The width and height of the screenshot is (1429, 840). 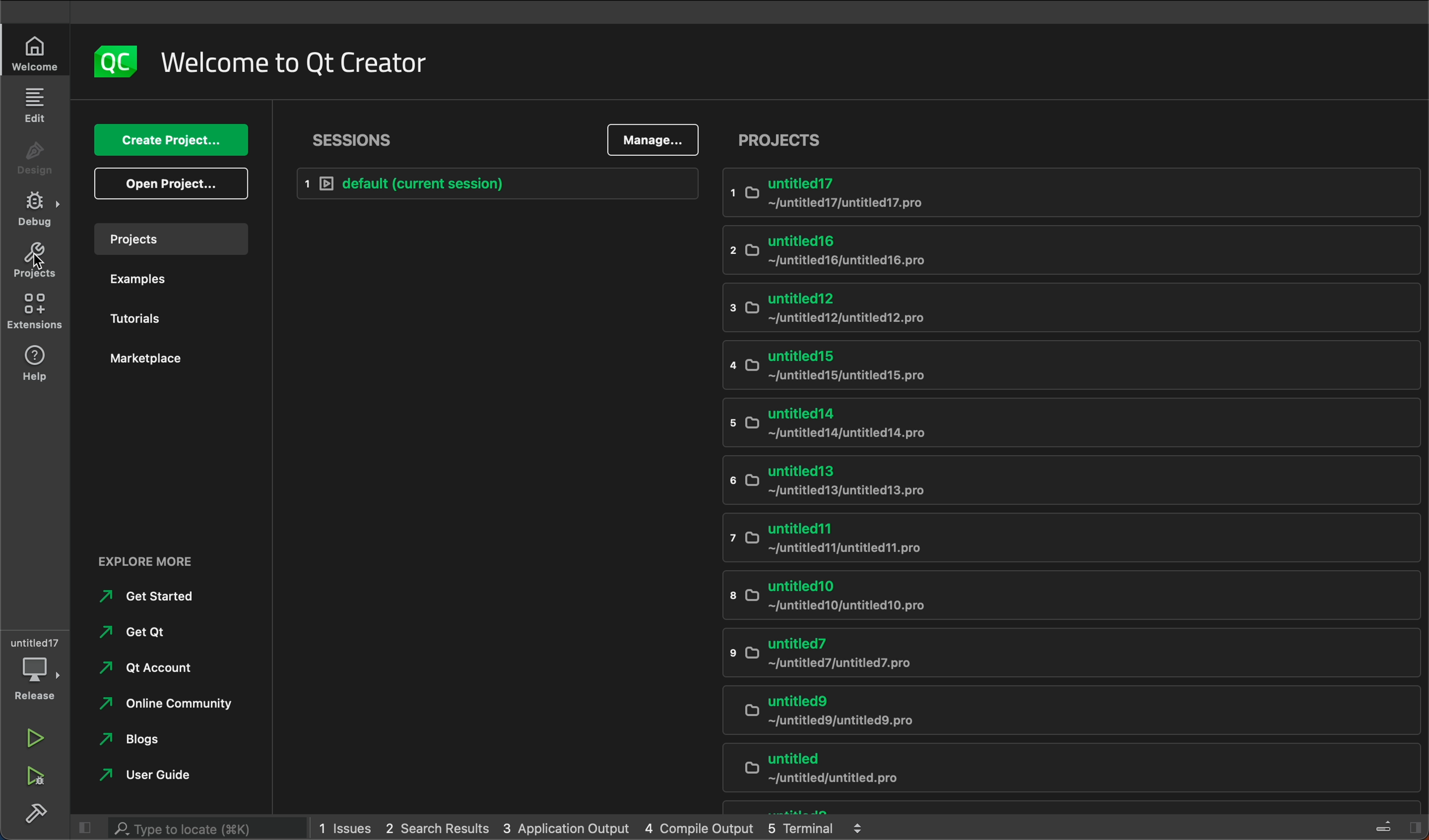 What do you see at coordinates (136, 634) in the screenshot?
I see `get qt` at bounding box center [136, 634].